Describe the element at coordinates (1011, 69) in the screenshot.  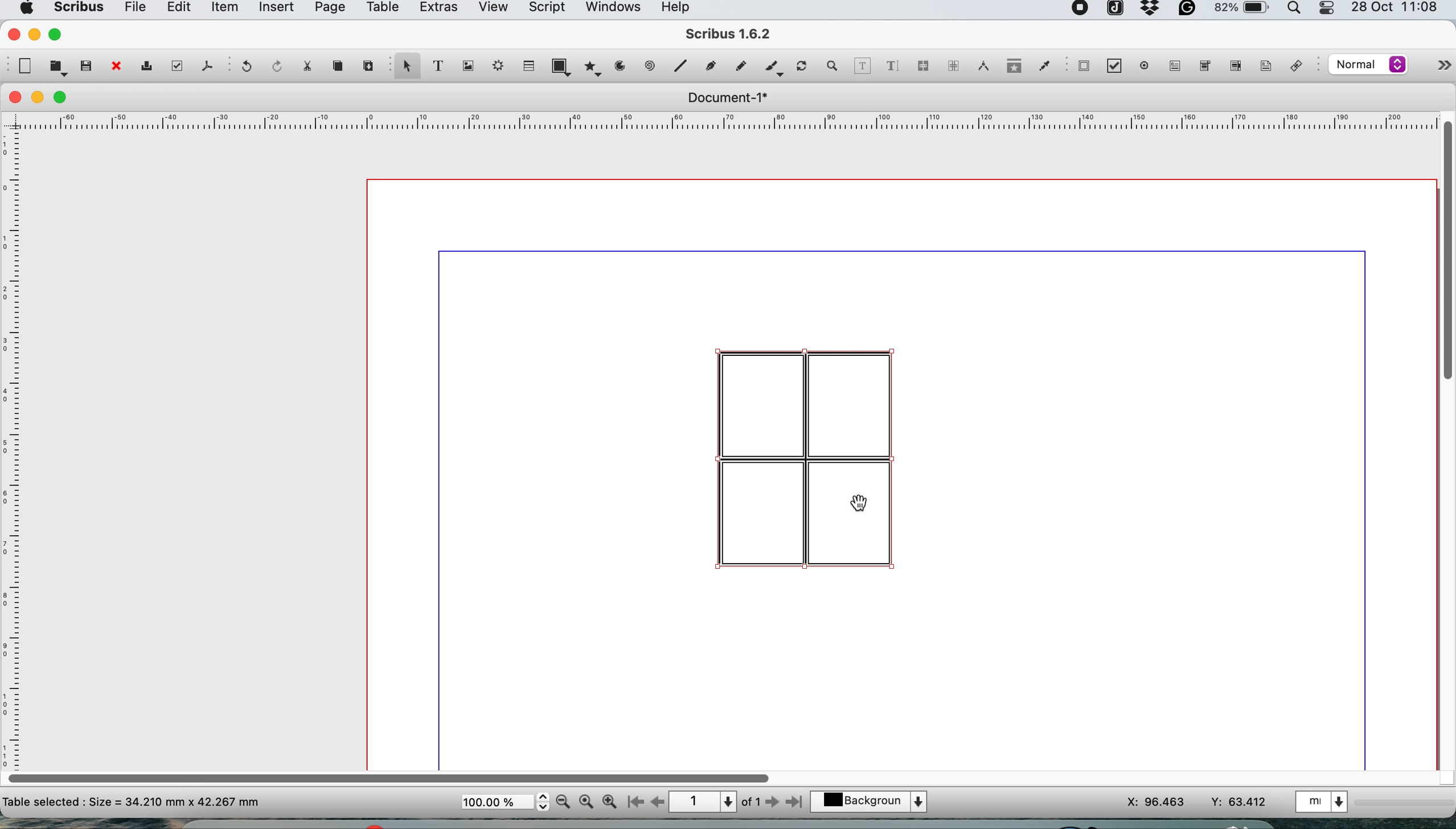
I see `copy item properties` at that location.